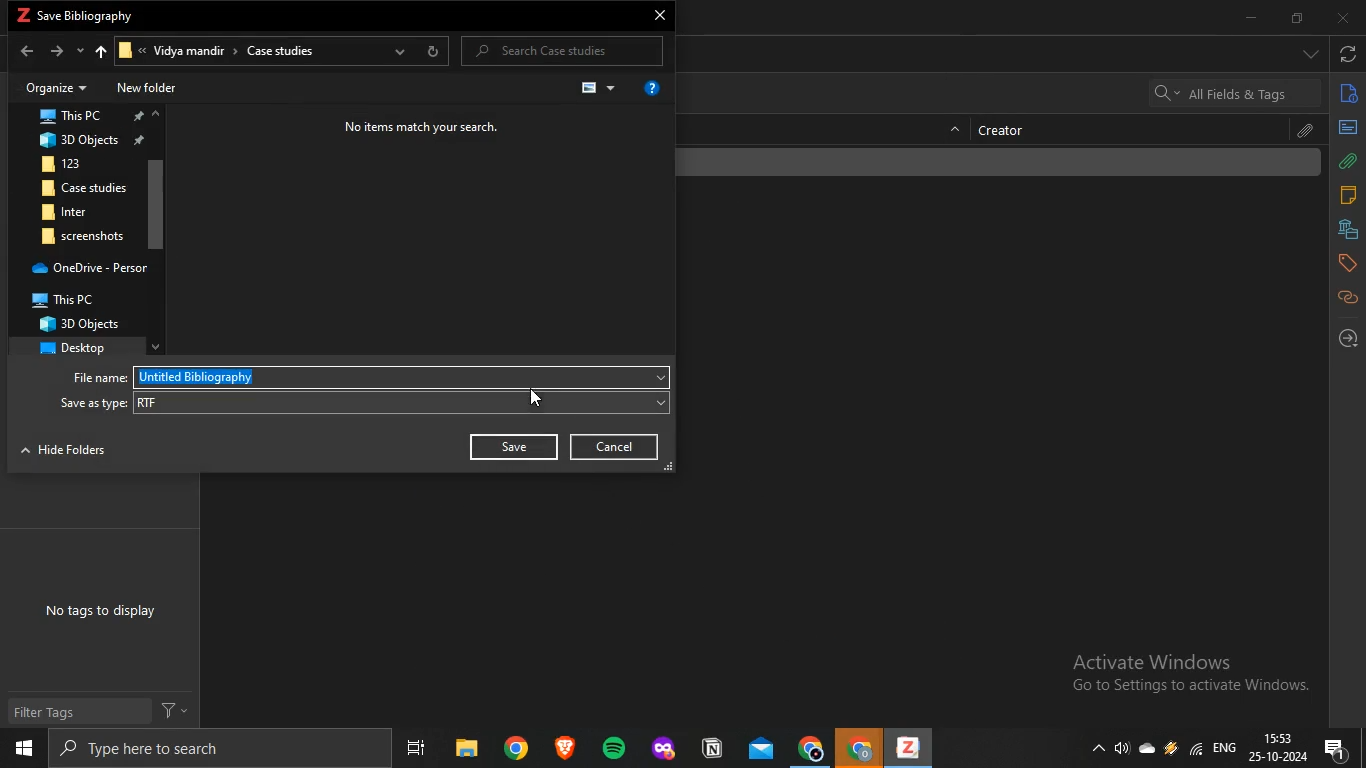 This screenshot has width=1366, height=768. What do you see at coordinates (563, 747) in the screenshot?
I see `brave` at bounding box center [563, 747].